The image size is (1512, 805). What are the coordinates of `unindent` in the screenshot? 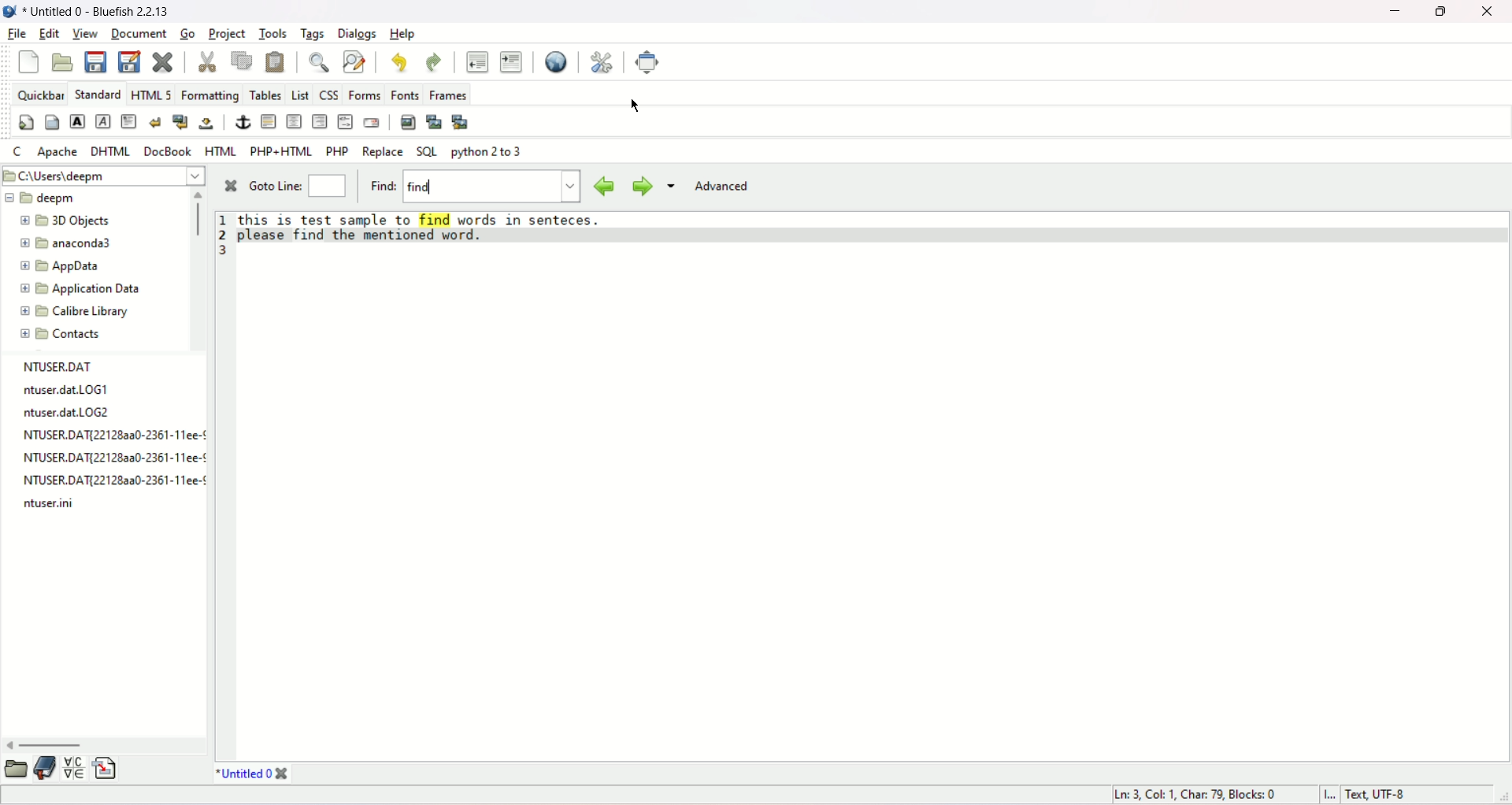 It's located at (476, 61).